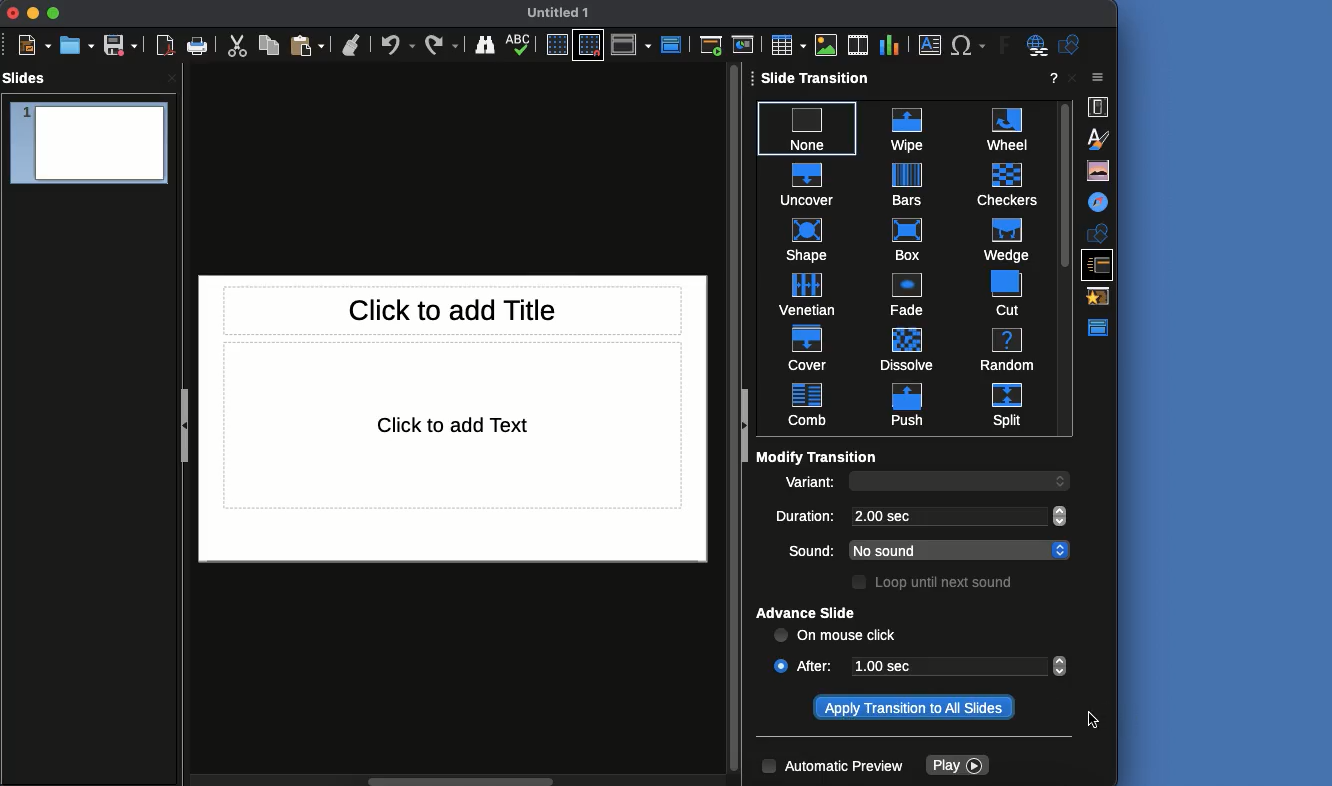 This screenshot has height=786, width=1332. What do you see at coordinates (1096, 138) in the screenshot?
I see `Styles` at bounding box center [1096, 138].